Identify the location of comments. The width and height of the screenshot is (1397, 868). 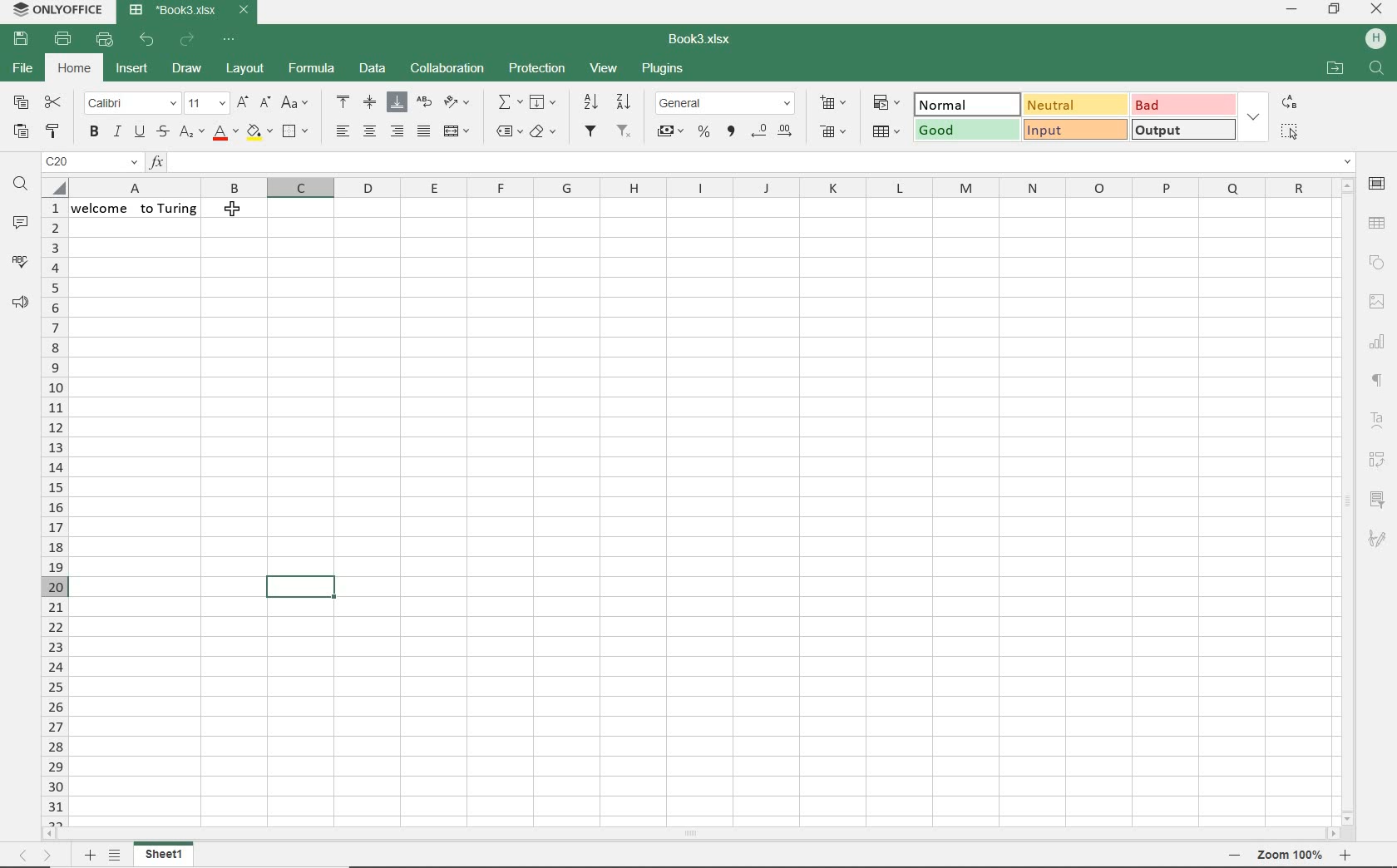
(20, 223).